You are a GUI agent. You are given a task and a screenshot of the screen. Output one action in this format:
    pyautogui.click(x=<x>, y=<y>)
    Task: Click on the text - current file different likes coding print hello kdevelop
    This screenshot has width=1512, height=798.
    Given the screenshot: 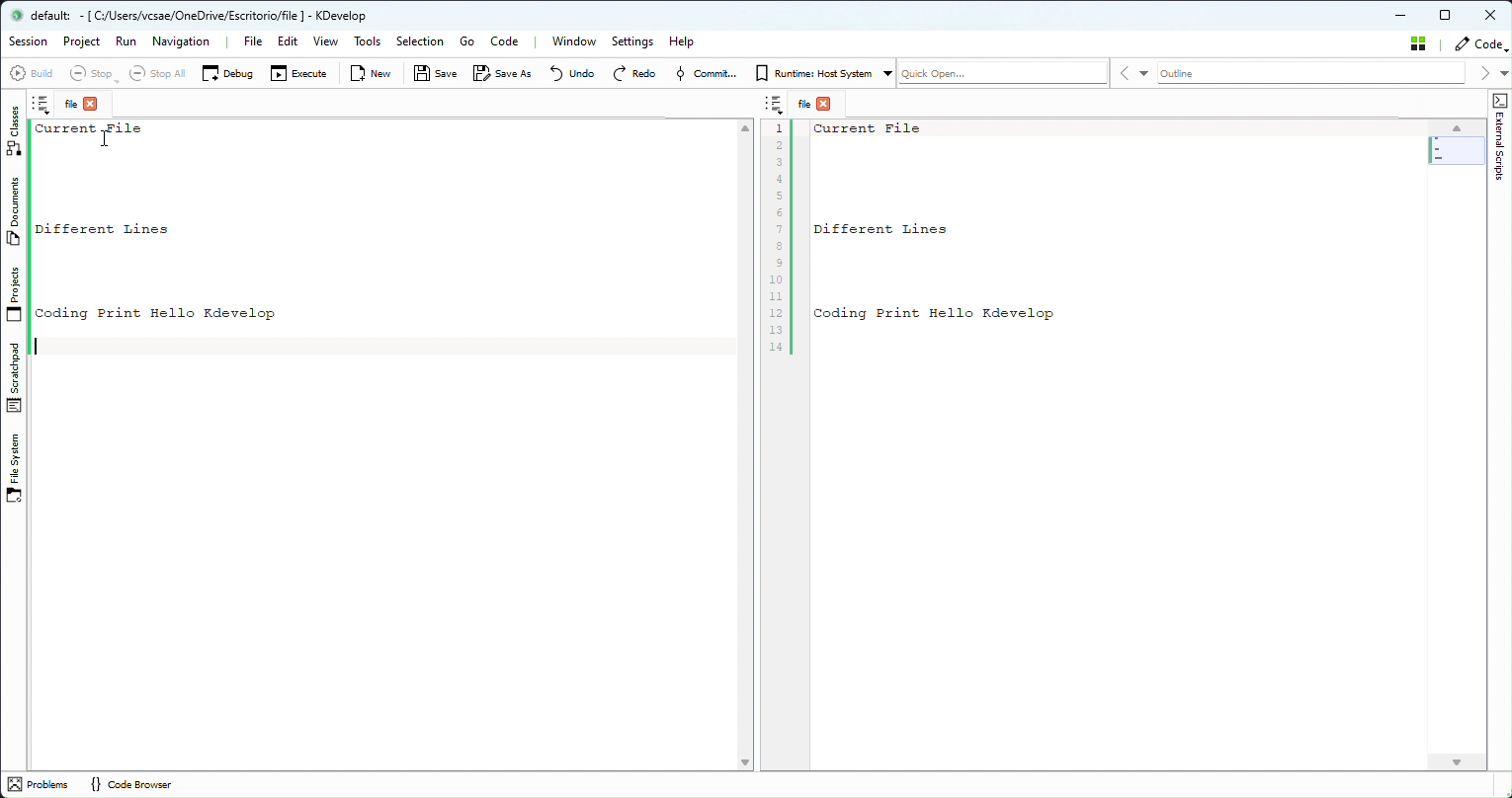 What is the action you would take?
    pyautogui.click(x=170, y=219)
    